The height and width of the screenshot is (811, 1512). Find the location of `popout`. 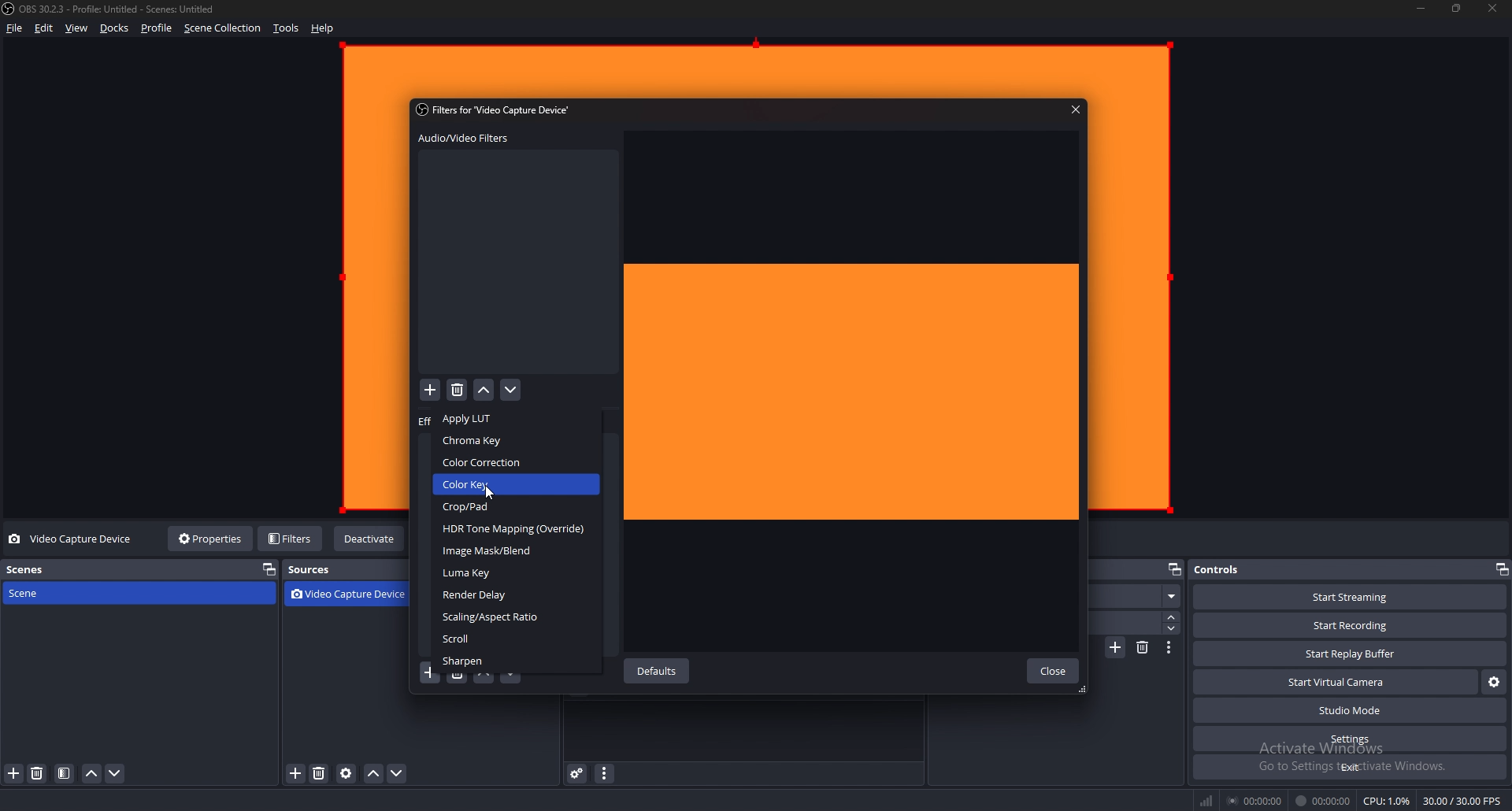

popout is located at coordinates (1174, 571).